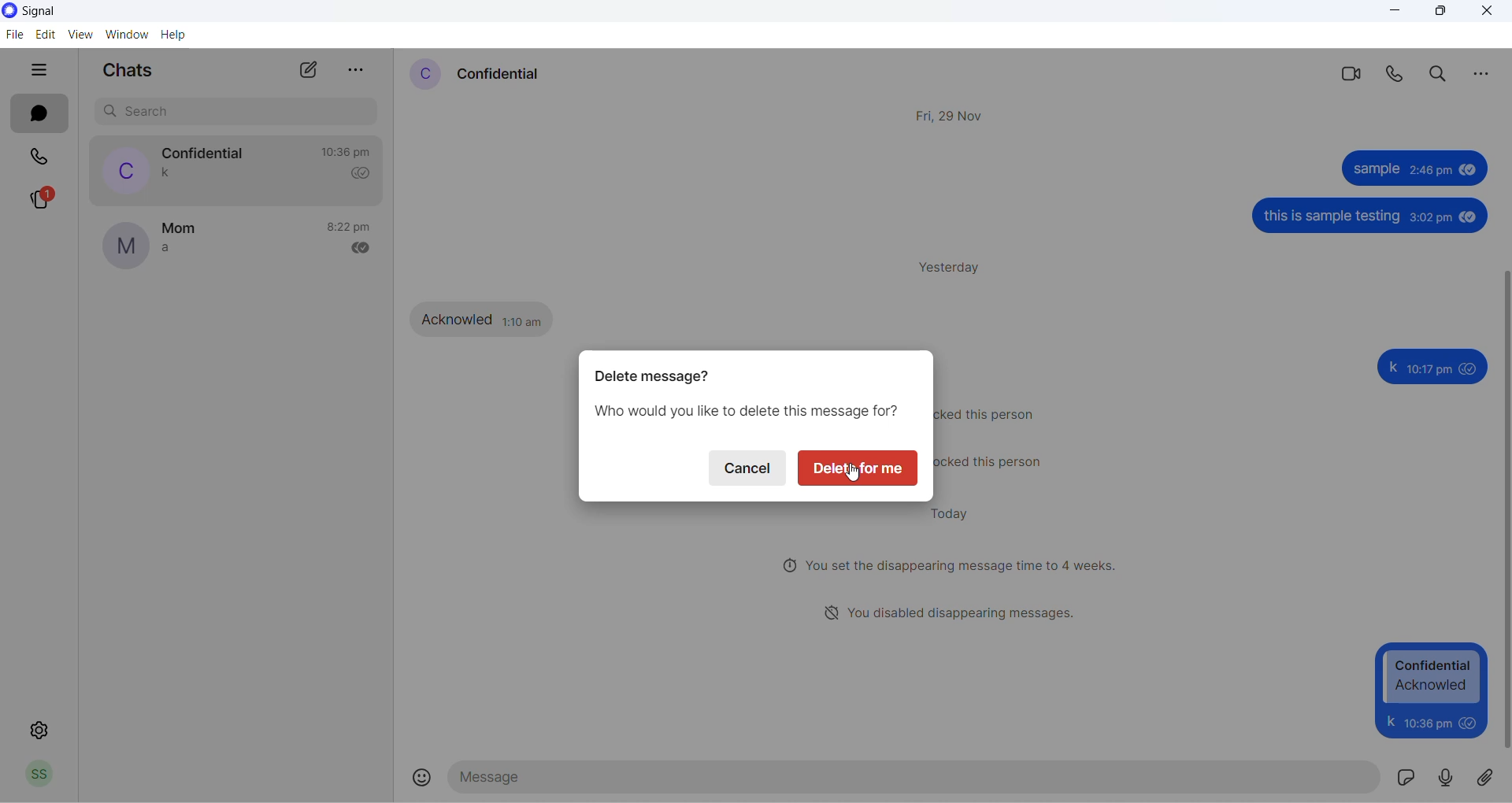 The image size is (1512, 803). Describe the element at coordinates (206, 154) in the screenshot. I see `contact name` at that location.